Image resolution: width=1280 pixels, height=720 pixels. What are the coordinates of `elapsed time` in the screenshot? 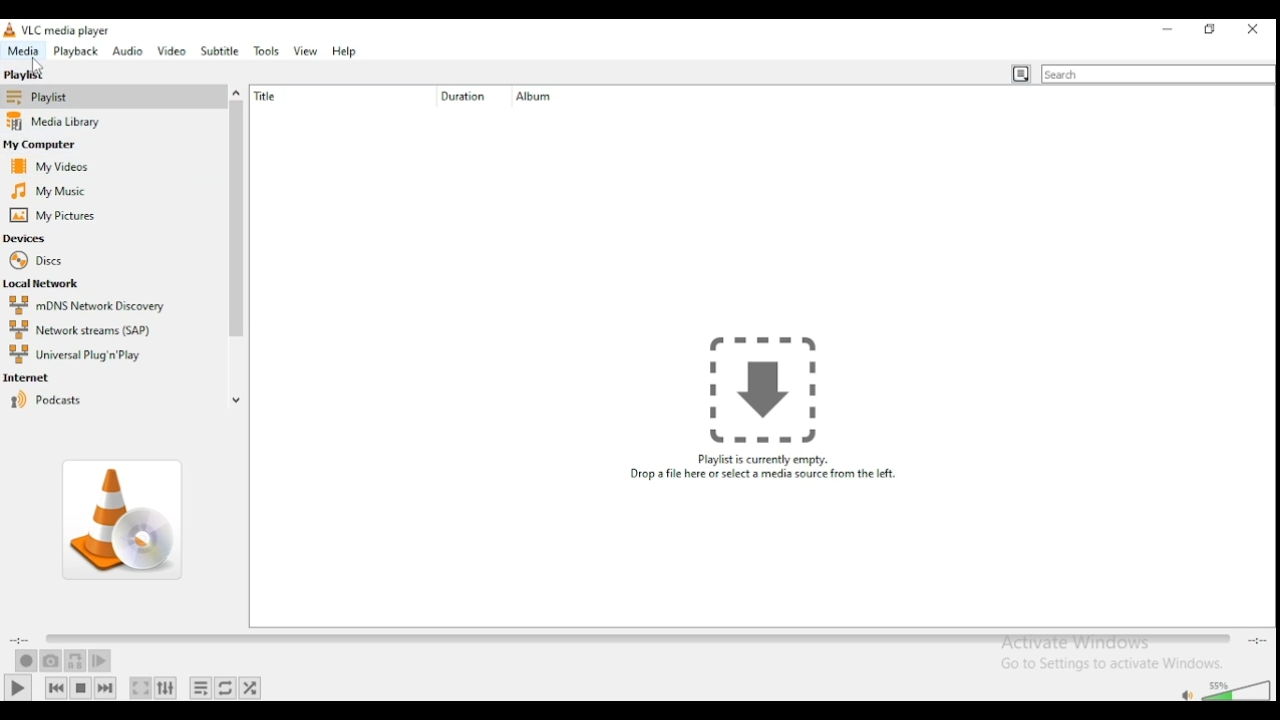 It's located at (19, 638).